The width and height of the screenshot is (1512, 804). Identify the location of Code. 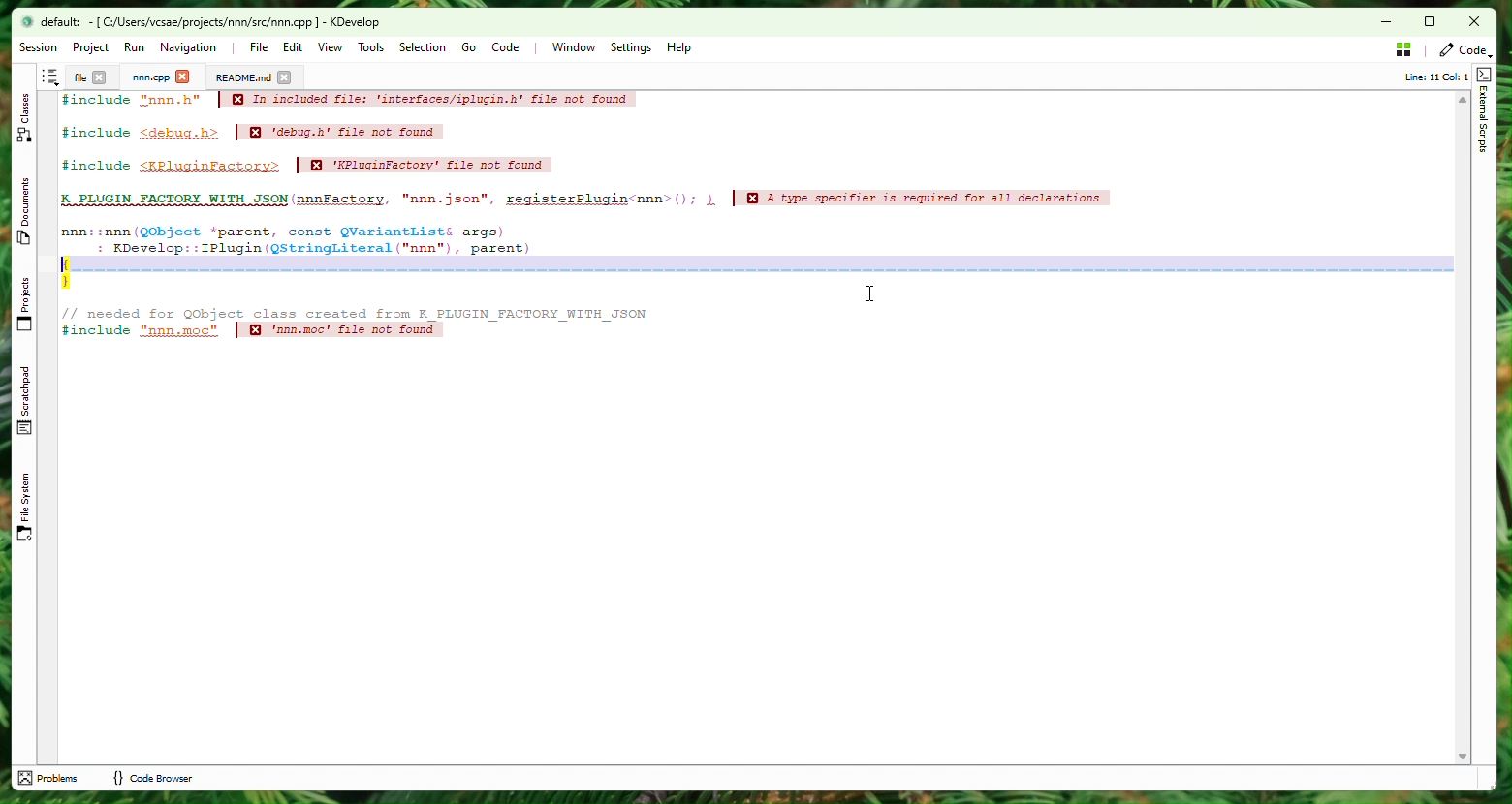
(507, 46).